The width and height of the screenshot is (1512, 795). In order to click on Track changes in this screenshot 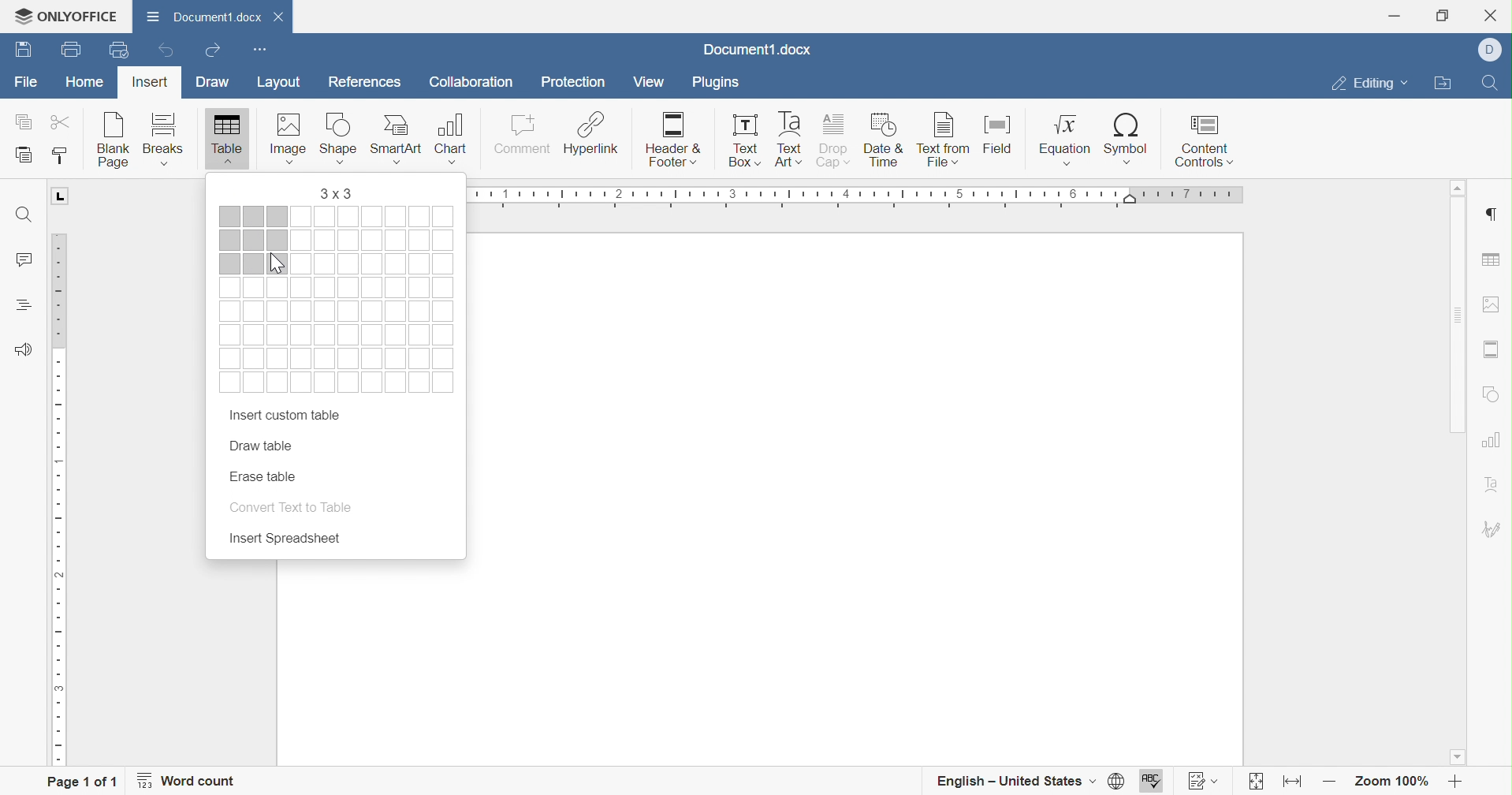, I will do `click(1205, 780)`.